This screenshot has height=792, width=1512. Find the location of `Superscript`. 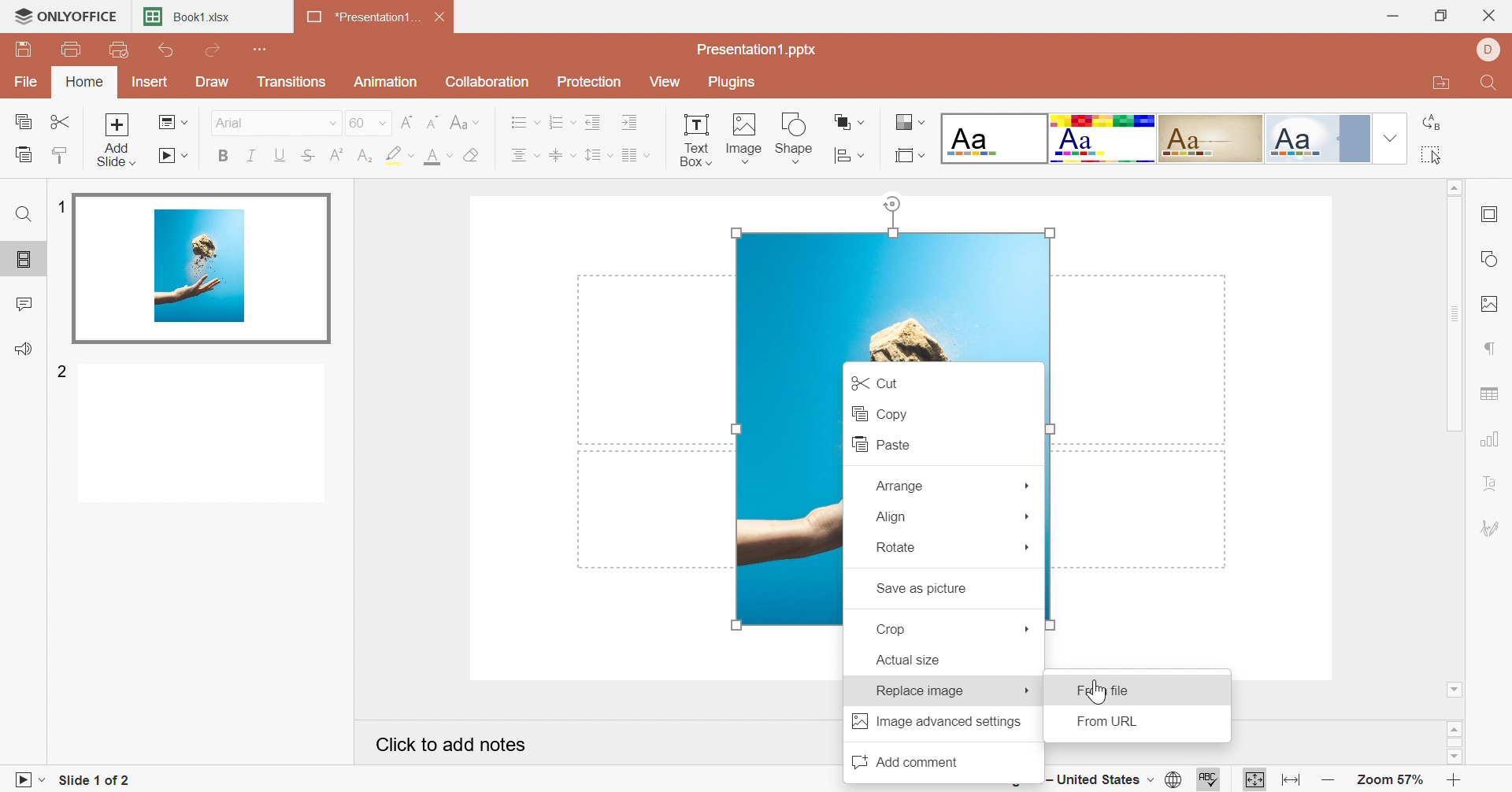

Superscript is located at coordinates (335, 153).